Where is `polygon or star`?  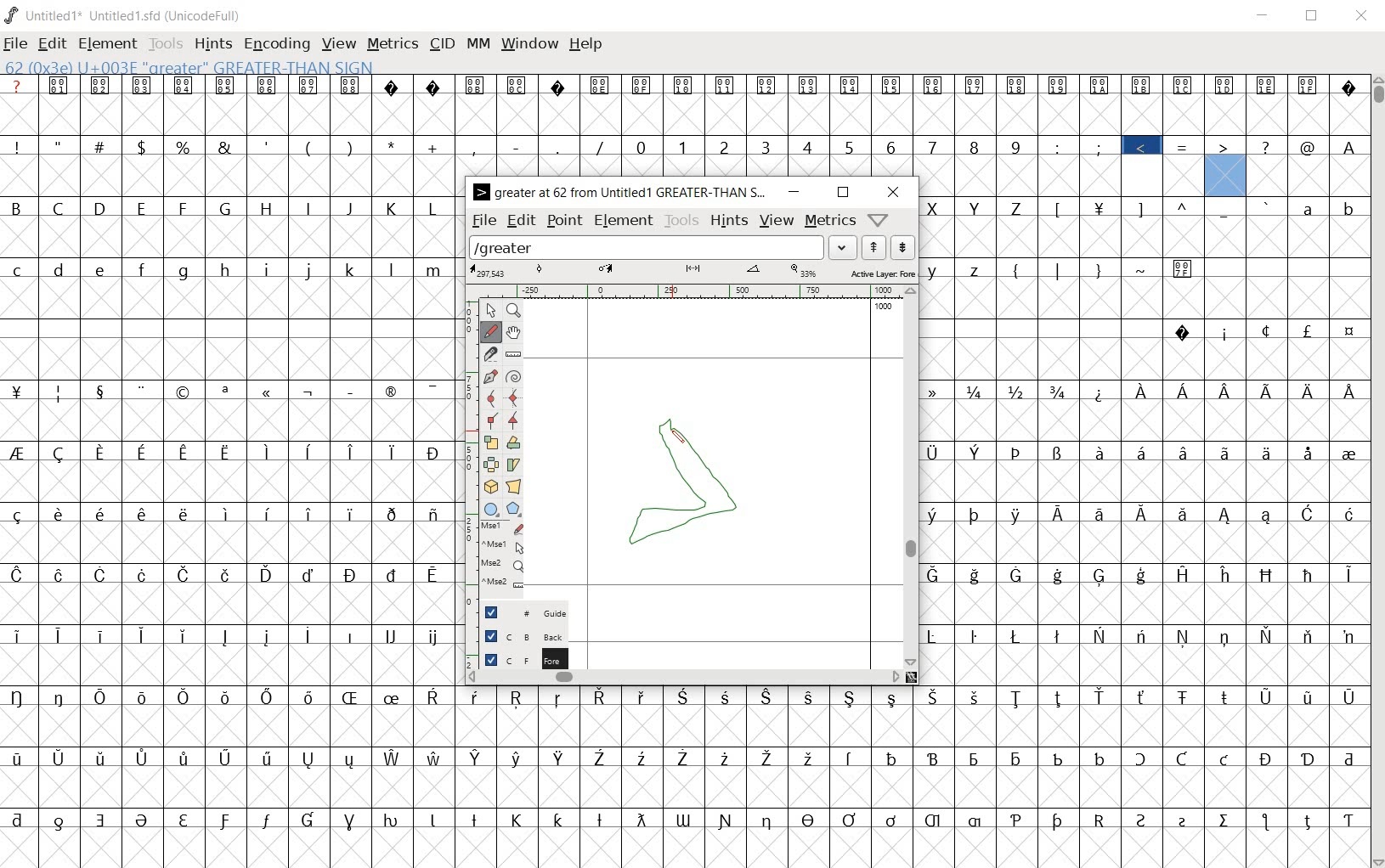 polygon or star is located at coordinates (514, 508).